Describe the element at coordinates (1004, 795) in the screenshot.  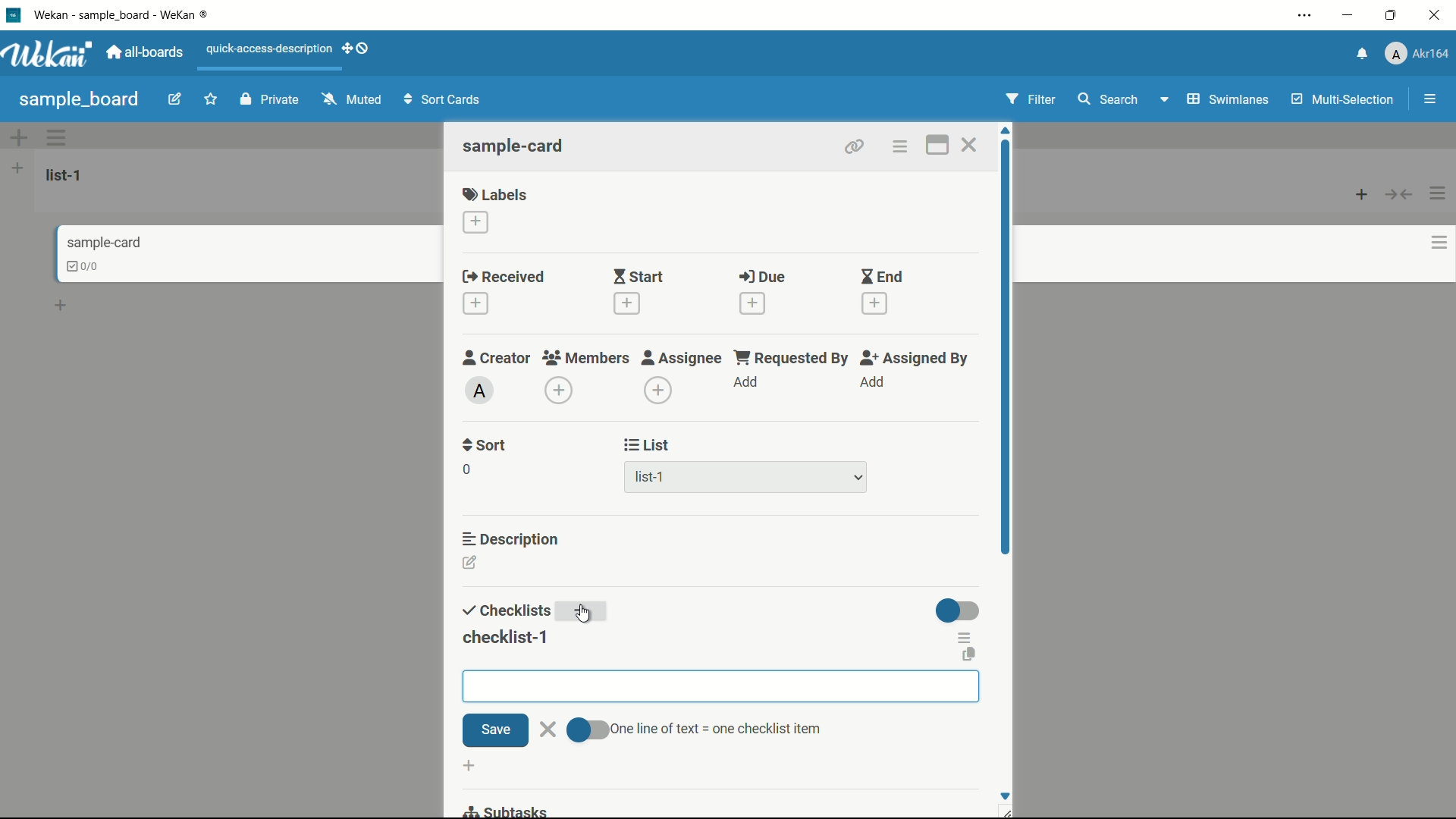
I see `scroll down` at that location.